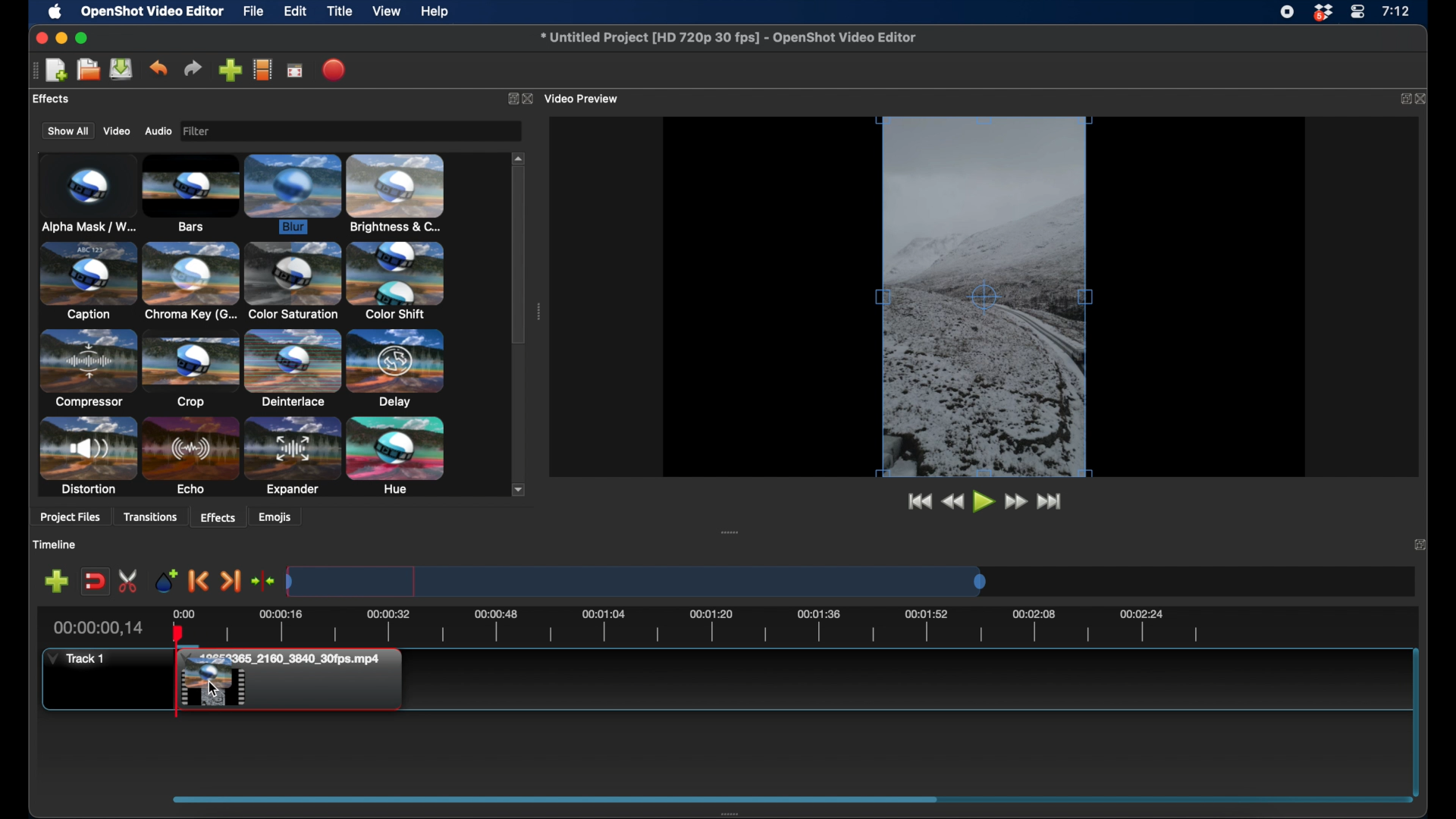 This screenshot has height=819, width=1456. What do you see at coordinates (919, 502) in the screenshot?
I see `jump to start` at bounding box center [919, 502].